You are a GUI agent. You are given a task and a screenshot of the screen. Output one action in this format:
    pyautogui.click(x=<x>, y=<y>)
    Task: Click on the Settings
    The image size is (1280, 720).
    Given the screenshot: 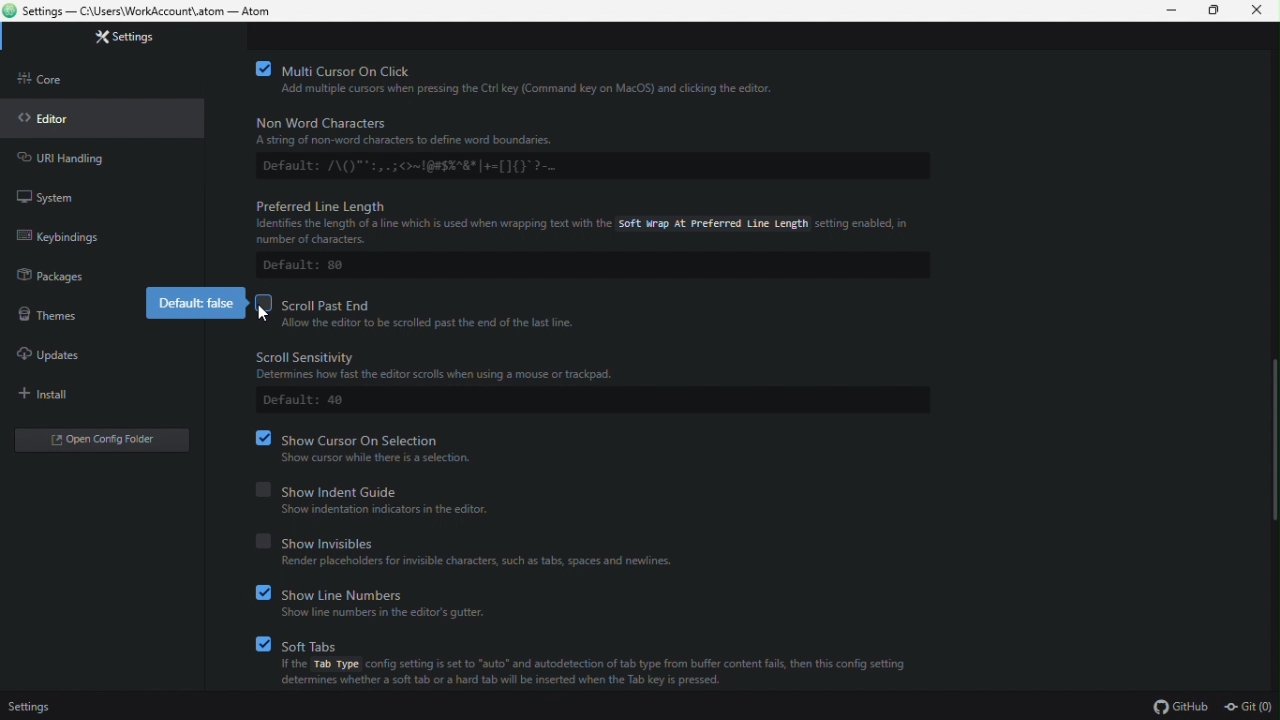 What is the action you would take?
    pyautogui.click(x=135, y=39)
    